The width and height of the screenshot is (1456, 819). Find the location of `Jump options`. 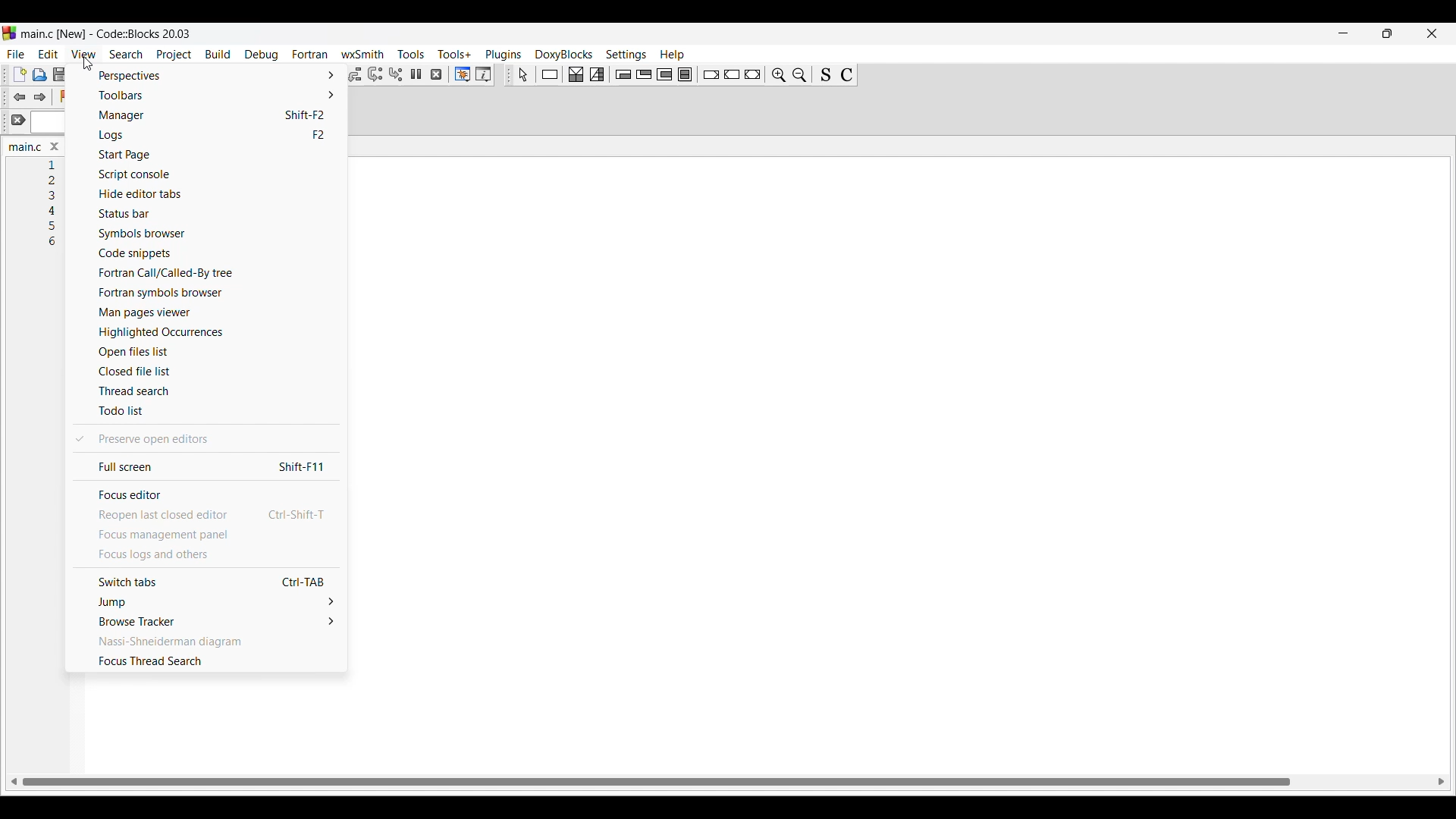

Jump options is located at coordinates (206, 602).